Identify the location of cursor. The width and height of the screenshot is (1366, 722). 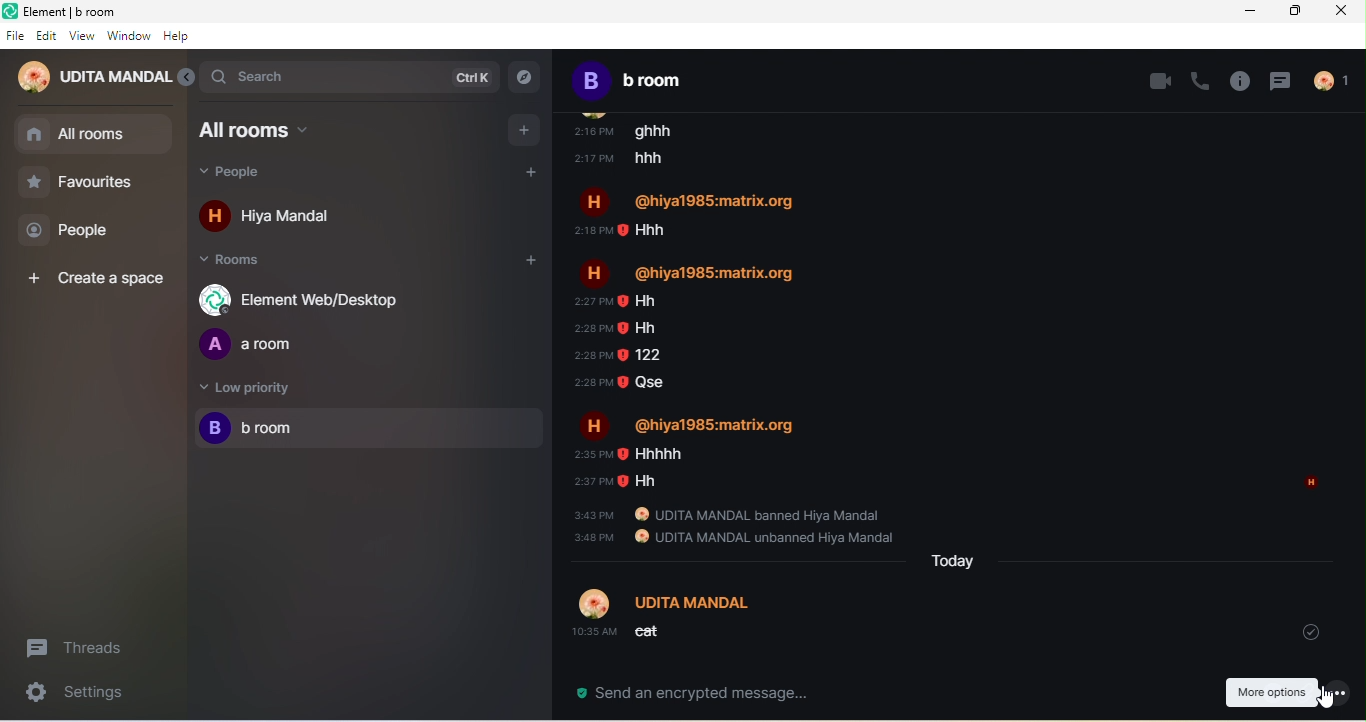
(1328, 697).